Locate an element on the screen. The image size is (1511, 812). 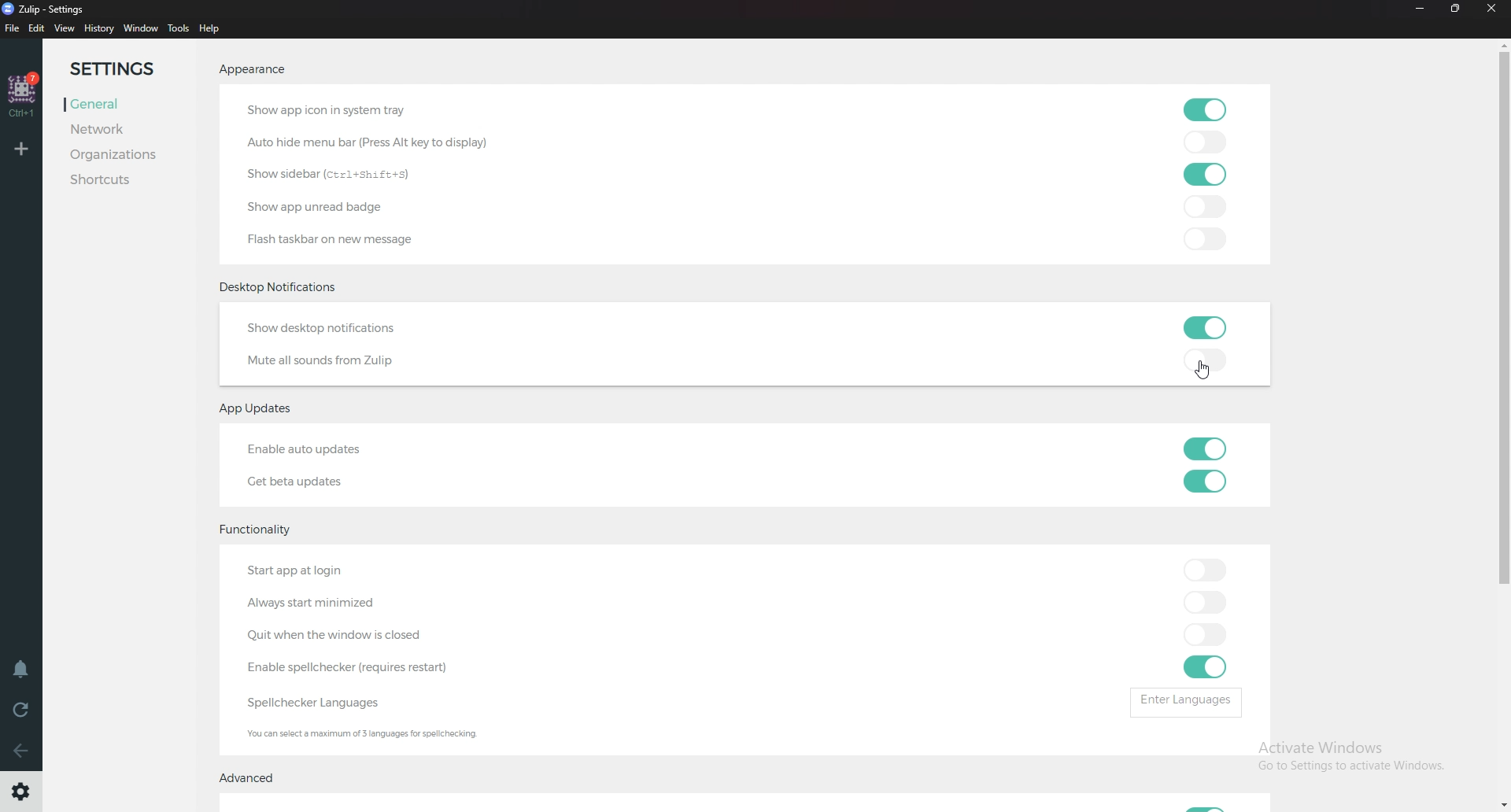
Functionality is located at coordinates (260, 531).